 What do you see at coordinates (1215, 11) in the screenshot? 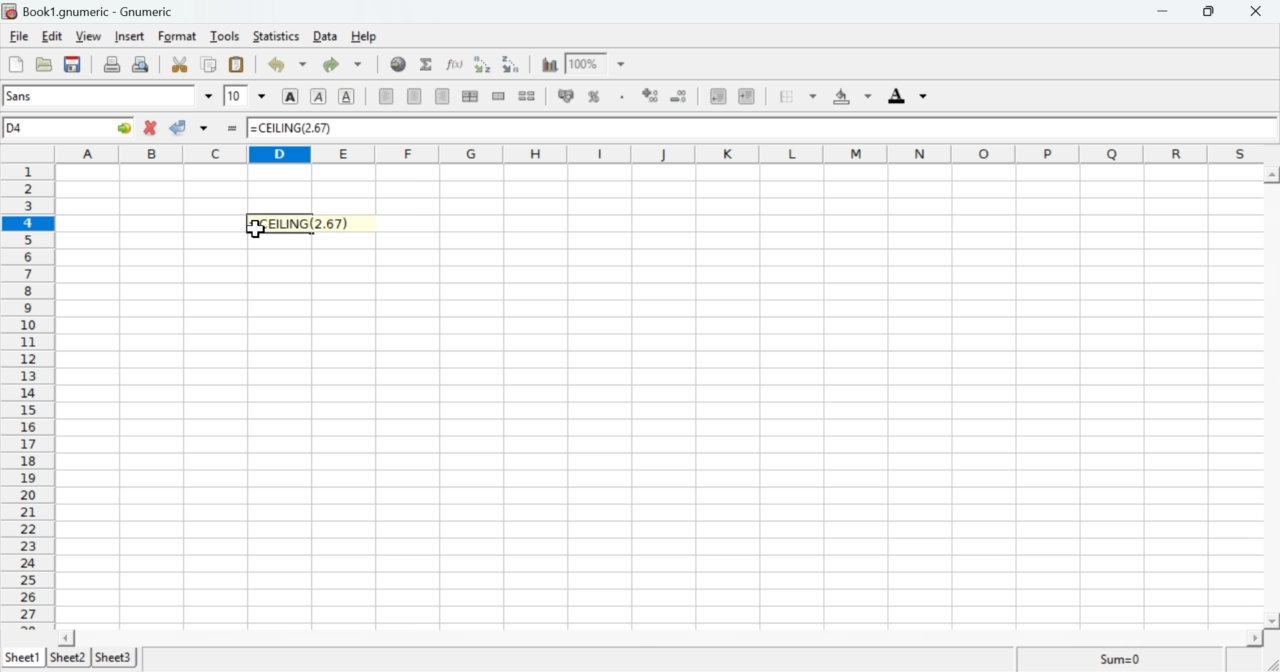
I see `Minimize/Maximize` at bounding box center [1215, 11].